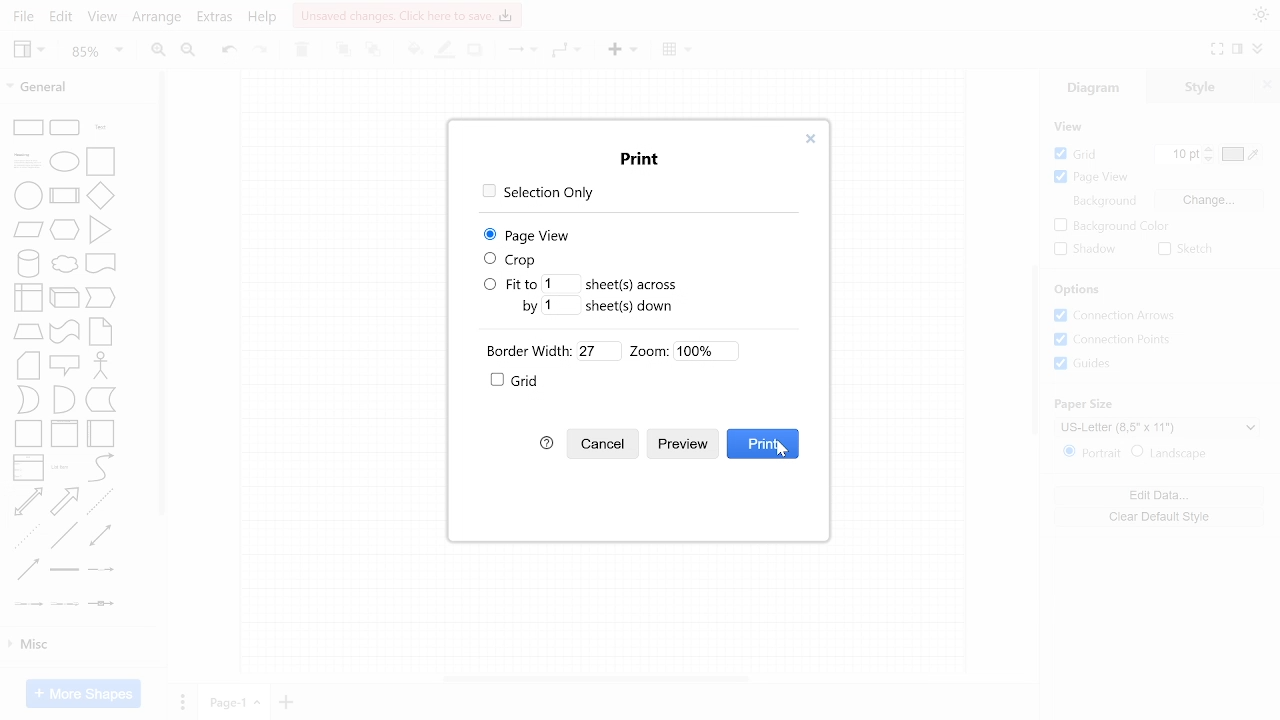 The width and height of the screenshot is (1280, 720). What do you see at coordinates (64, 535) in the screenshot?
I see `Line` at bounding box center [64, 535].